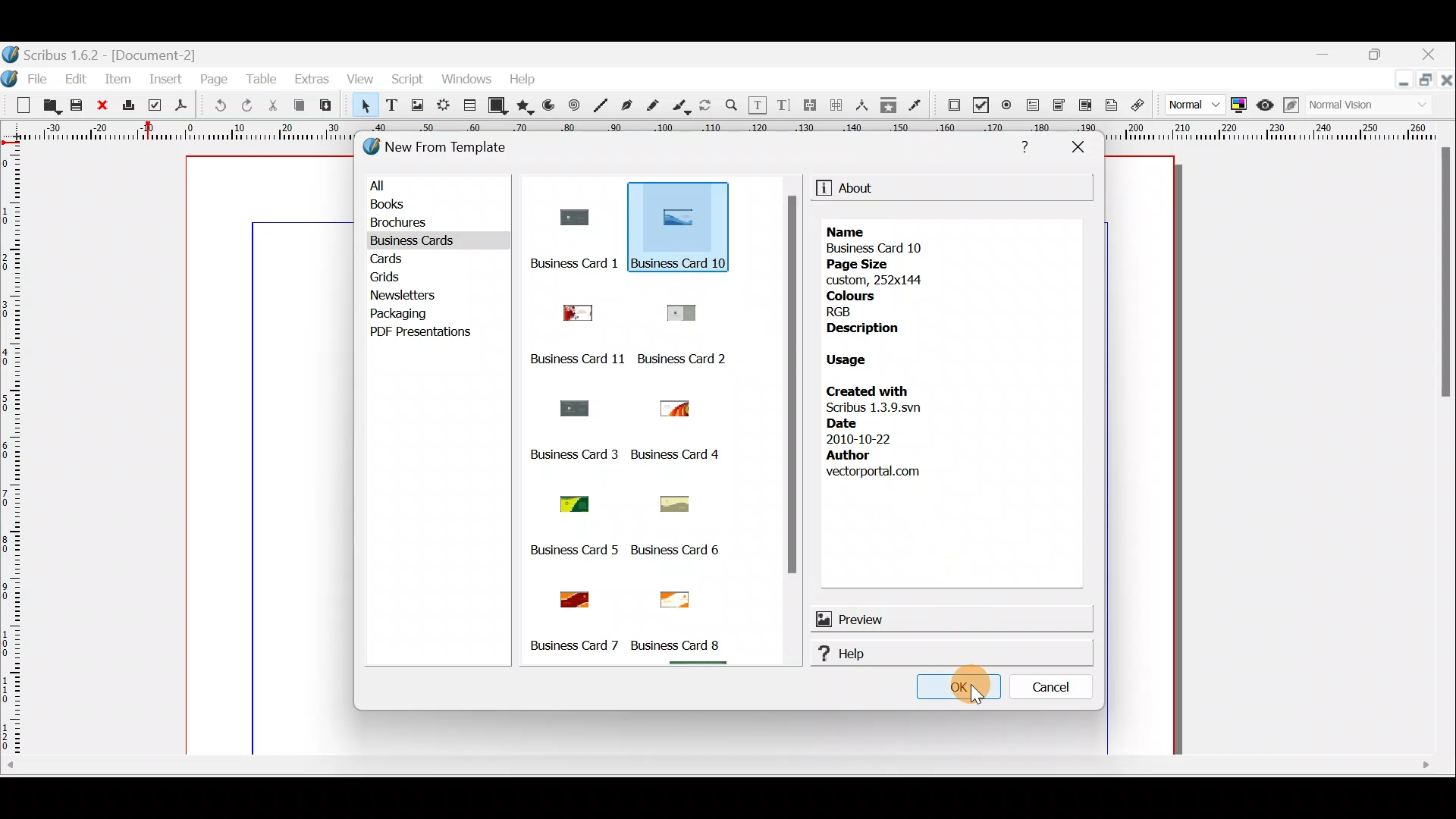 This screenshot has width=1456, height=819. Describe the element at coordinates (863, 105) in the screenshot. I see `Measurements` at that location.